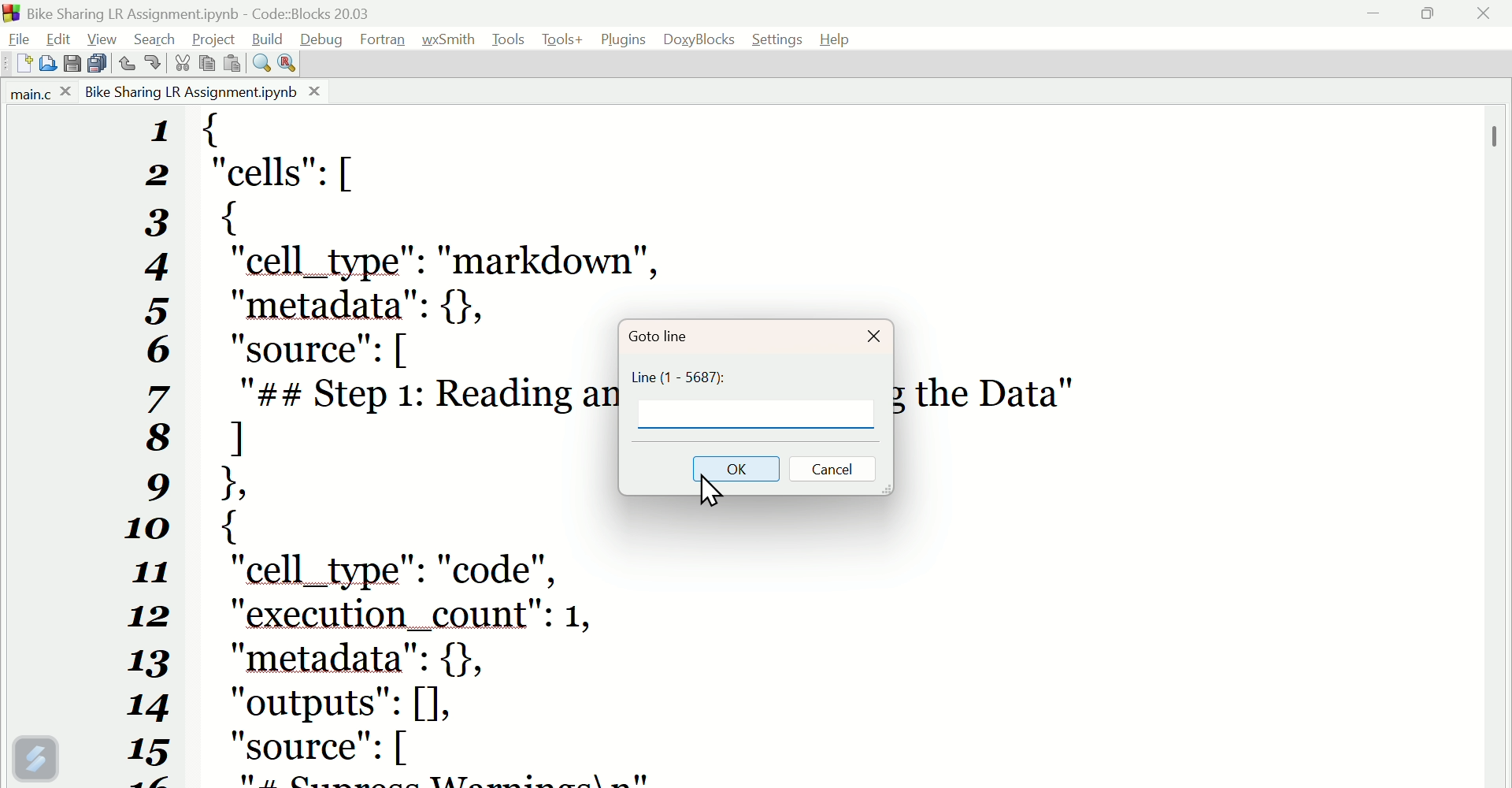 This screenshot has height=788, width=1512. Describe the element at coordinates (57, 39) in the screenshot. I see `Edit` at that location.